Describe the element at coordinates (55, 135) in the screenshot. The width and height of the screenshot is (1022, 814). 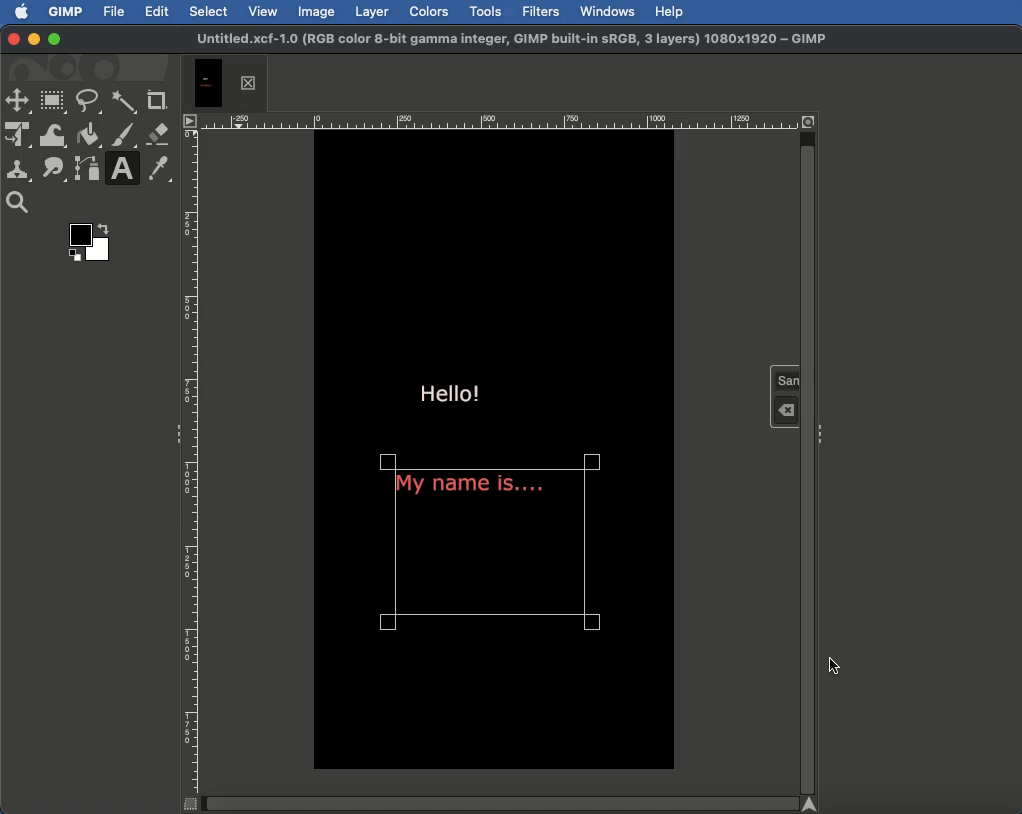
I see `Warp transformation` at that location.